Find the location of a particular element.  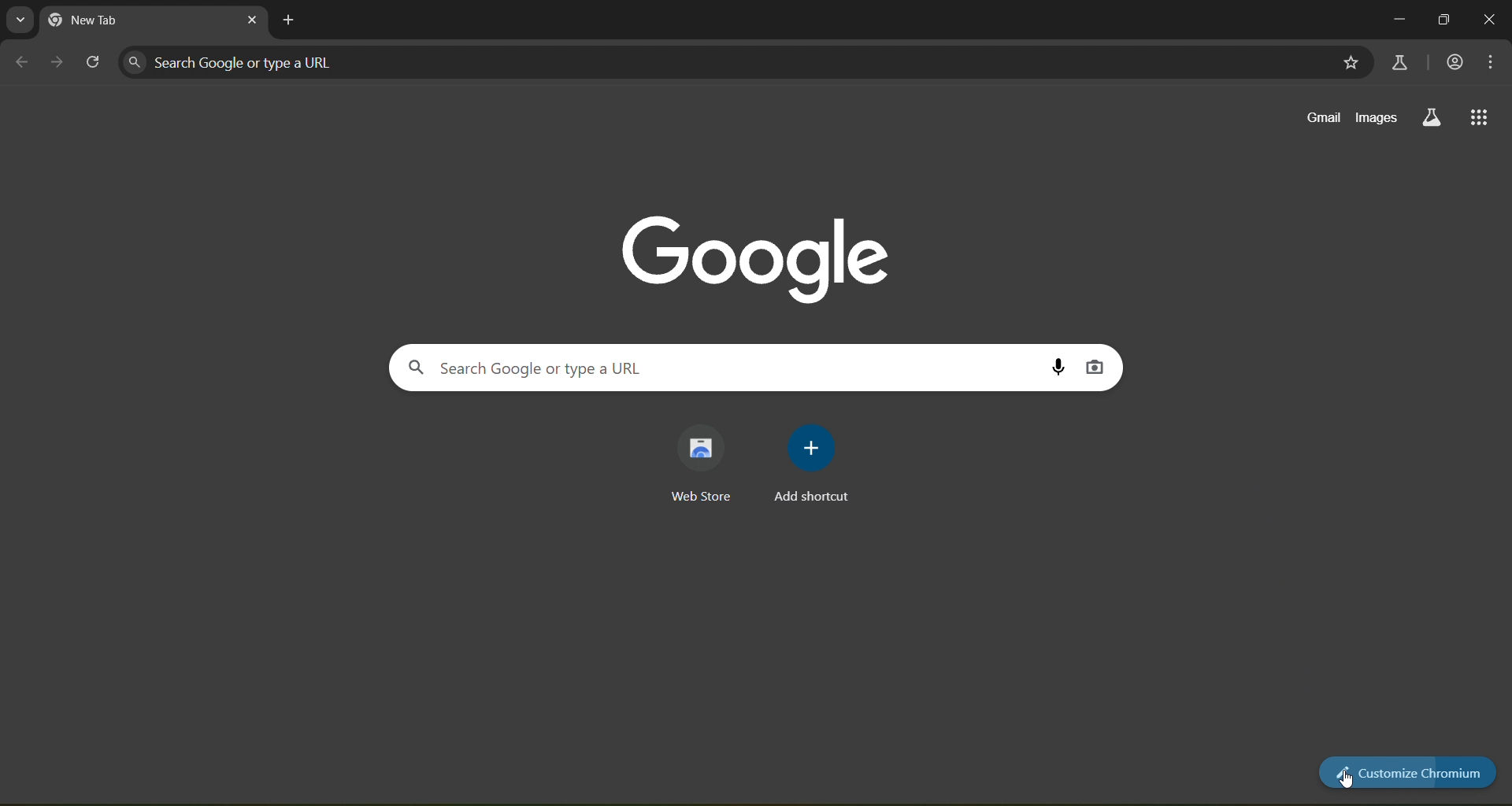

Google is located at coordinates (756, 254).